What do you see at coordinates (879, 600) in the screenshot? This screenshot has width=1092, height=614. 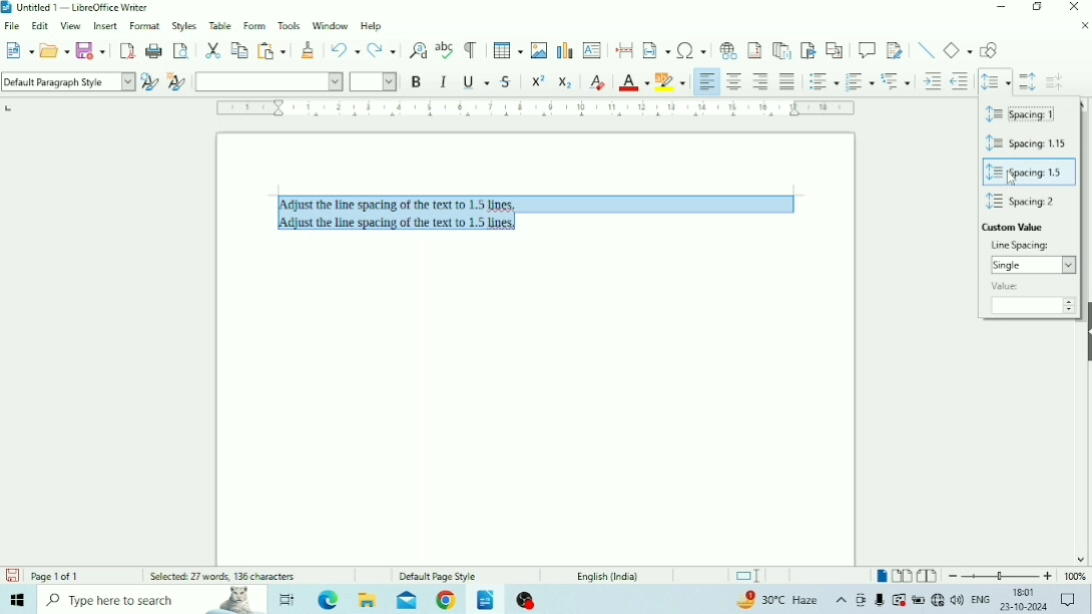 I see `Mic` at bounding box center [879, 600].